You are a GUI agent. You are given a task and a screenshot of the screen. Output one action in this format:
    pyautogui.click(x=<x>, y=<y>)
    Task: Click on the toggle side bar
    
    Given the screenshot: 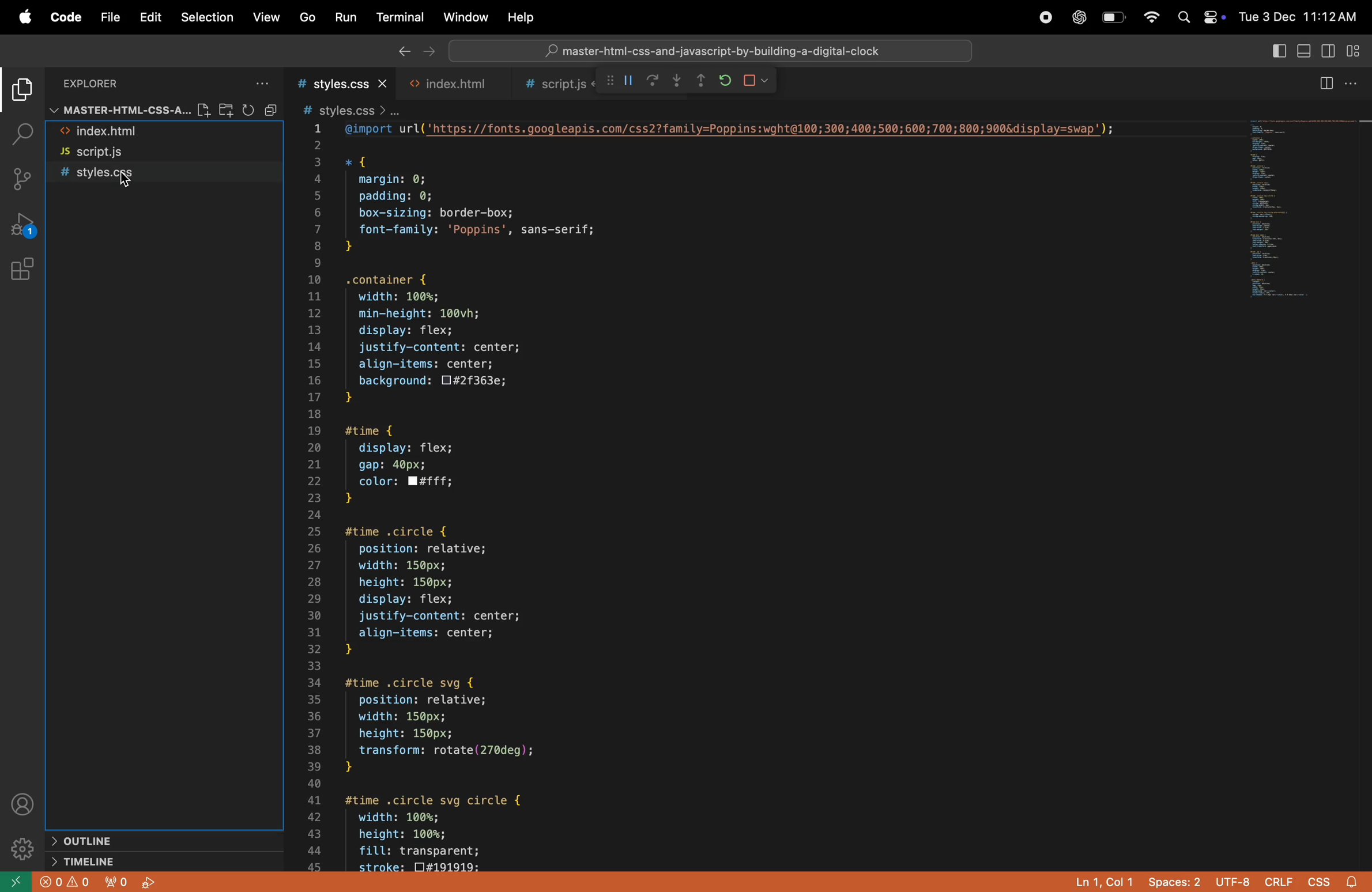 What is the action you would take?
    pyautogui.click(x=1329, y=52)
    